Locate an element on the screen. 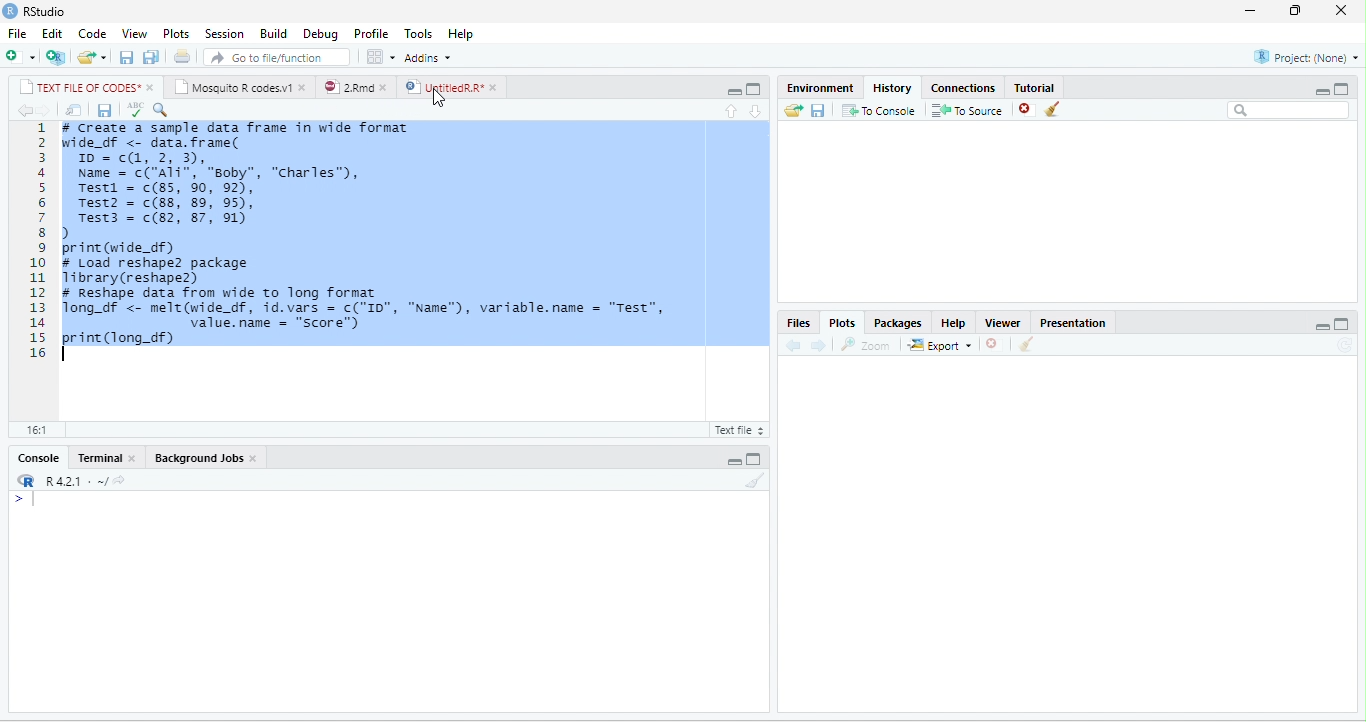  UntitledR.R is located at coordinates (443, 87).